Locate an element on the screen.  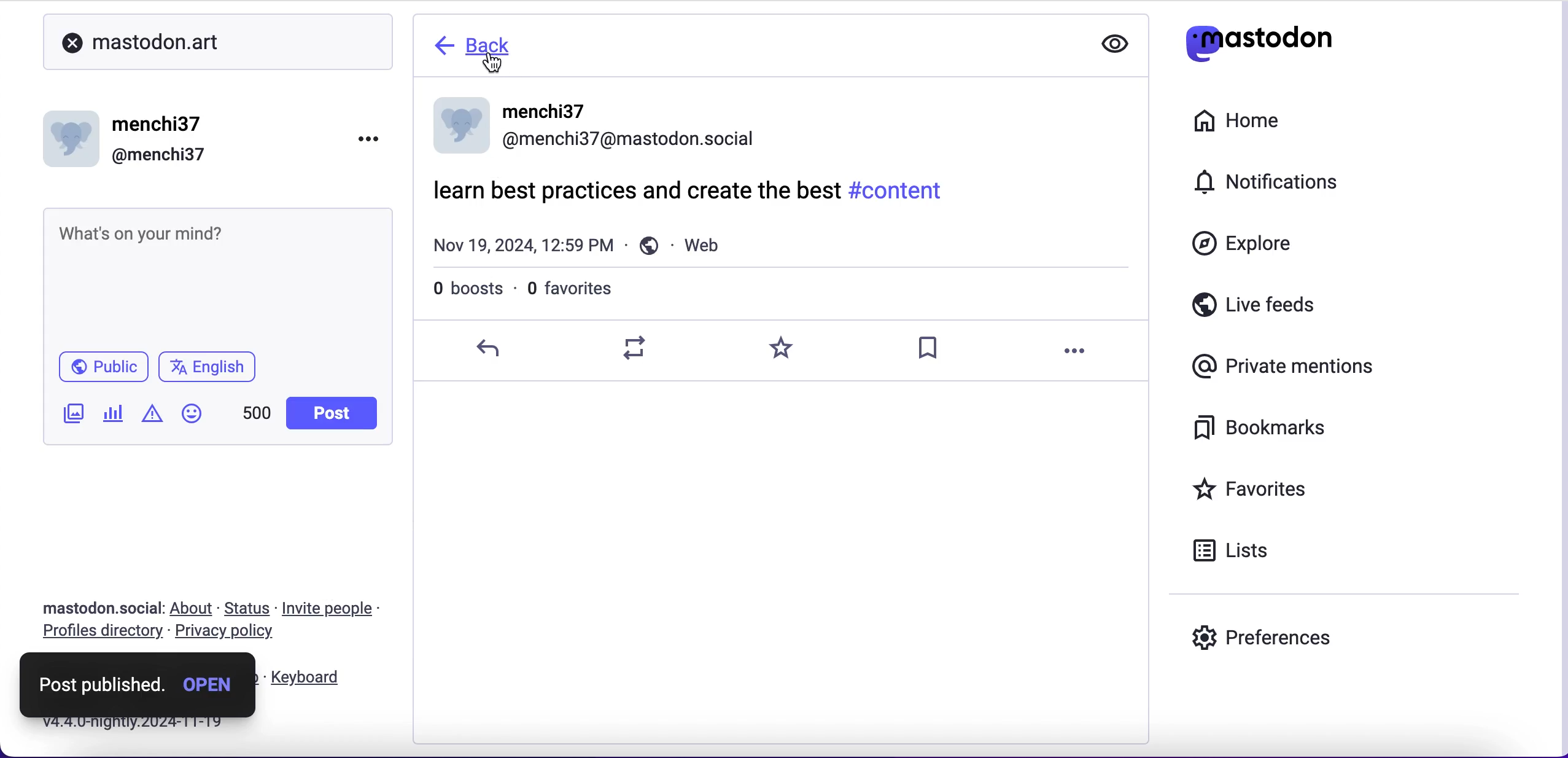
public is located at coordinates (101, 365).